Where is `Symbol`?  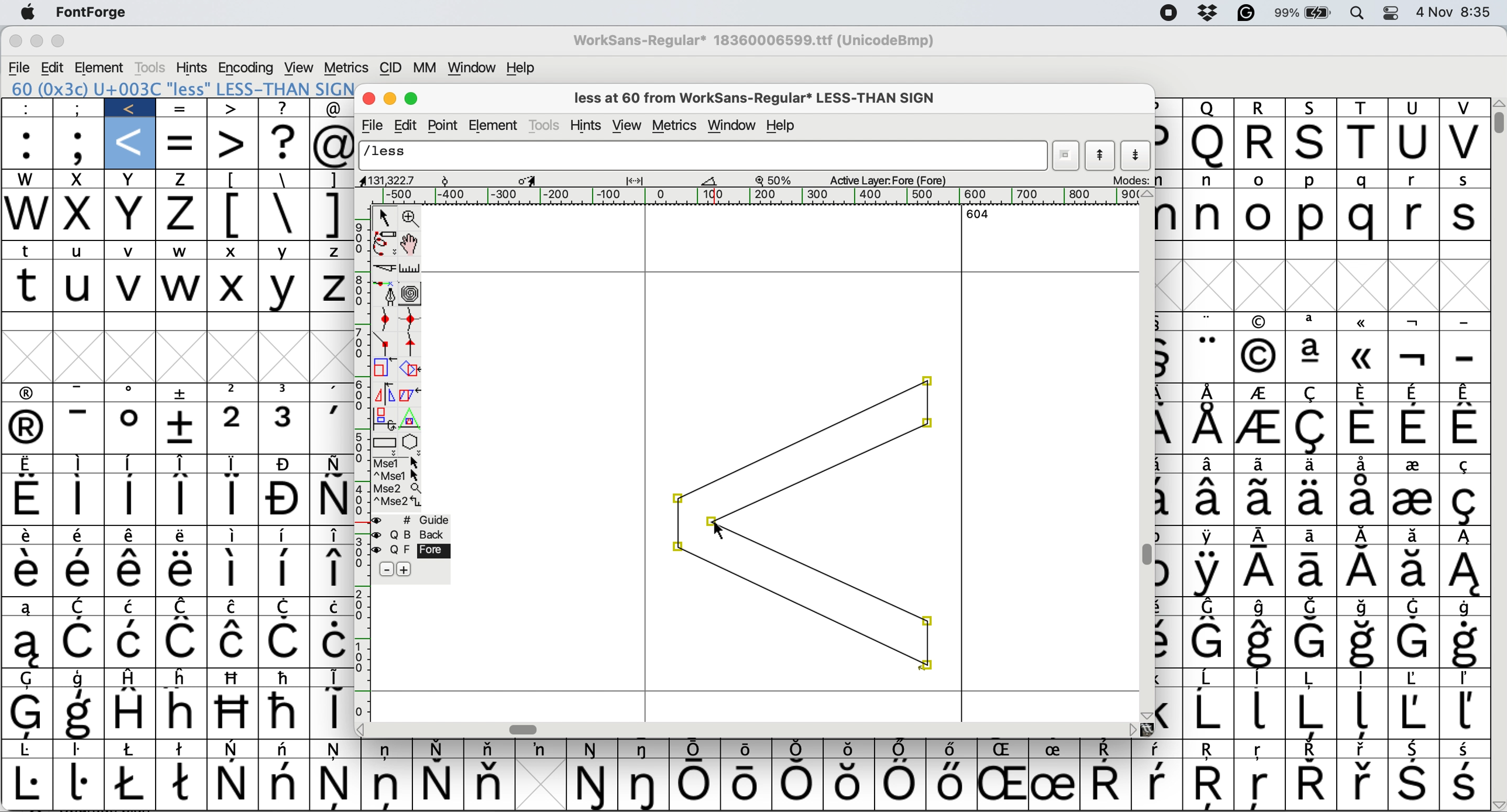
Symbol is located at coordinates (1361, 465).